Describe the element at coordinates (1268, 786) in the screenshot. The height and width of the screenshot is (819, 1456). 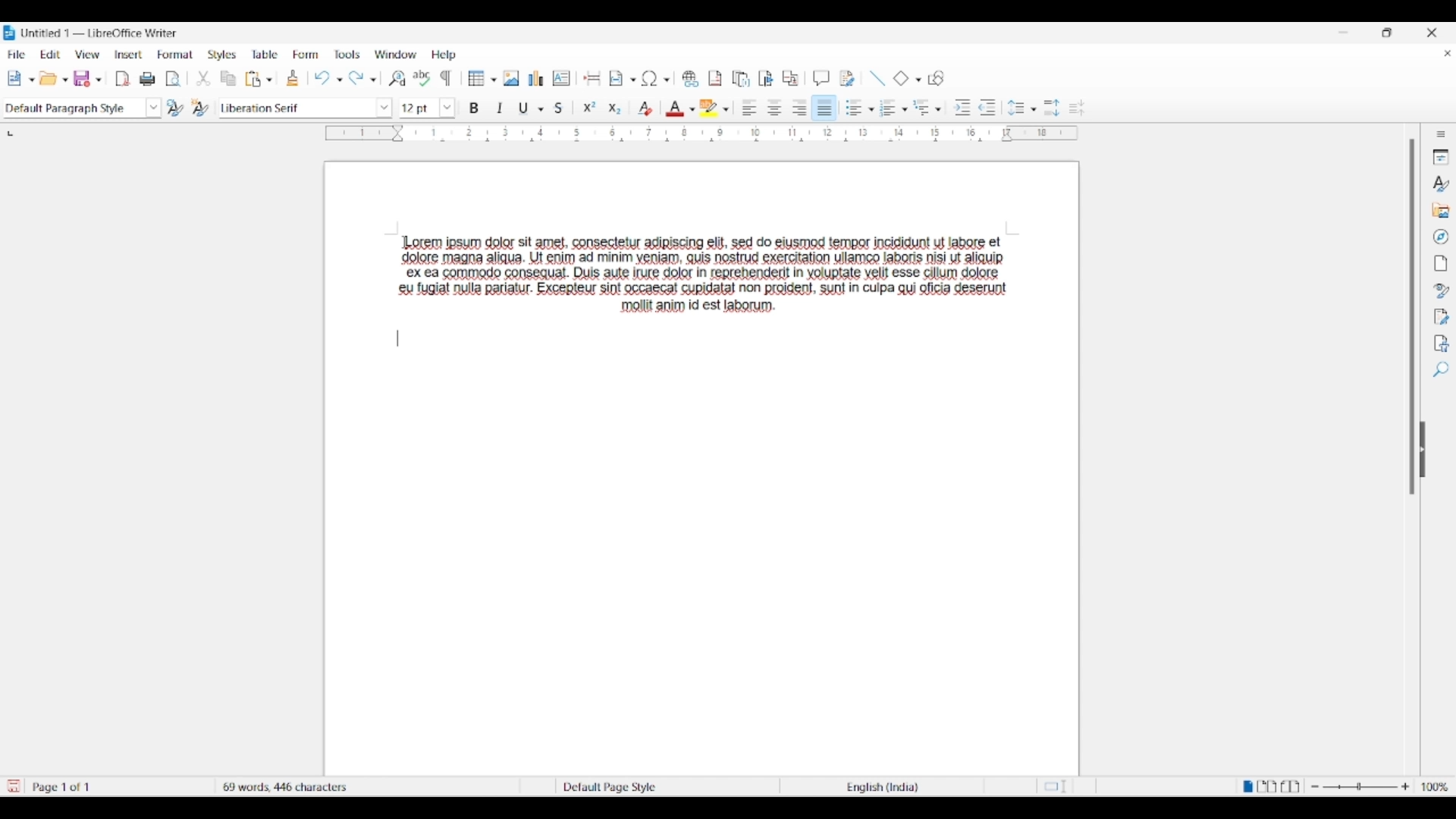
I see `Multiple page view` at that location.